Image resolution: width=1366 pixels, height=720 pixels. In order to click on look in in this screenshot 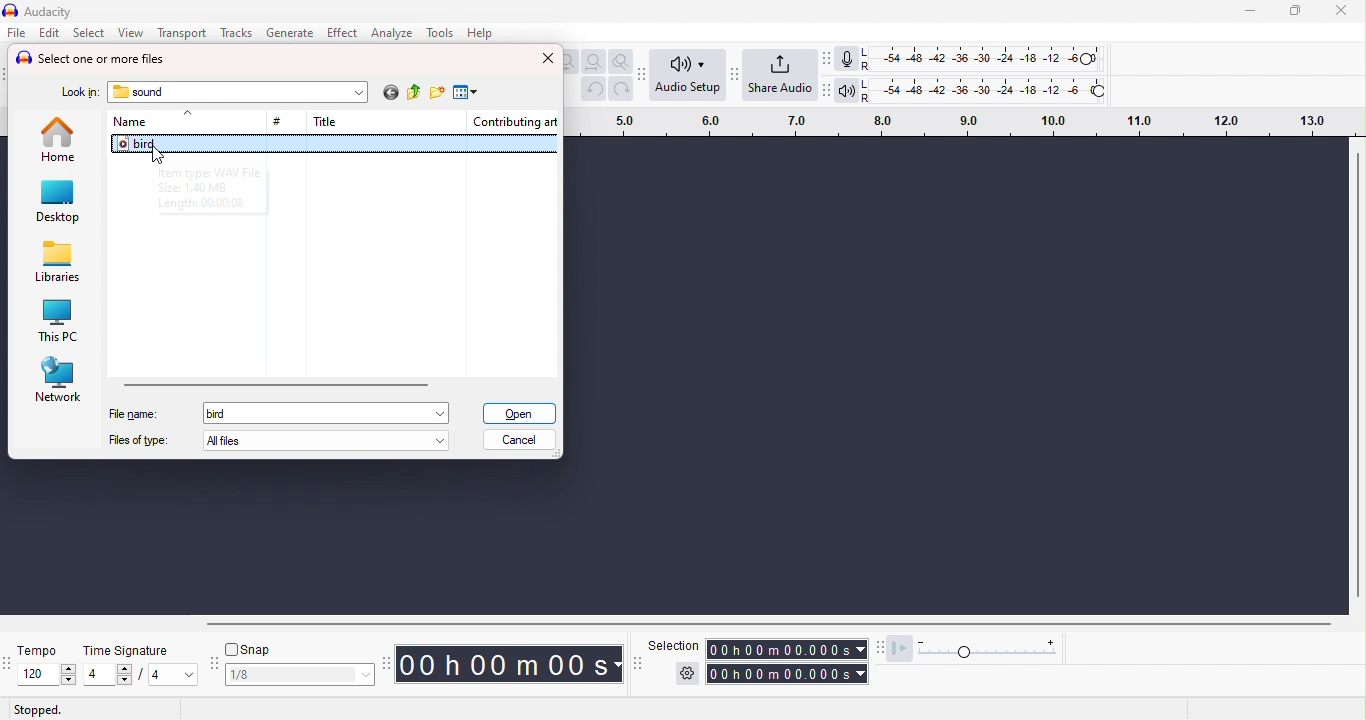, I will do `click(79, 94)`.